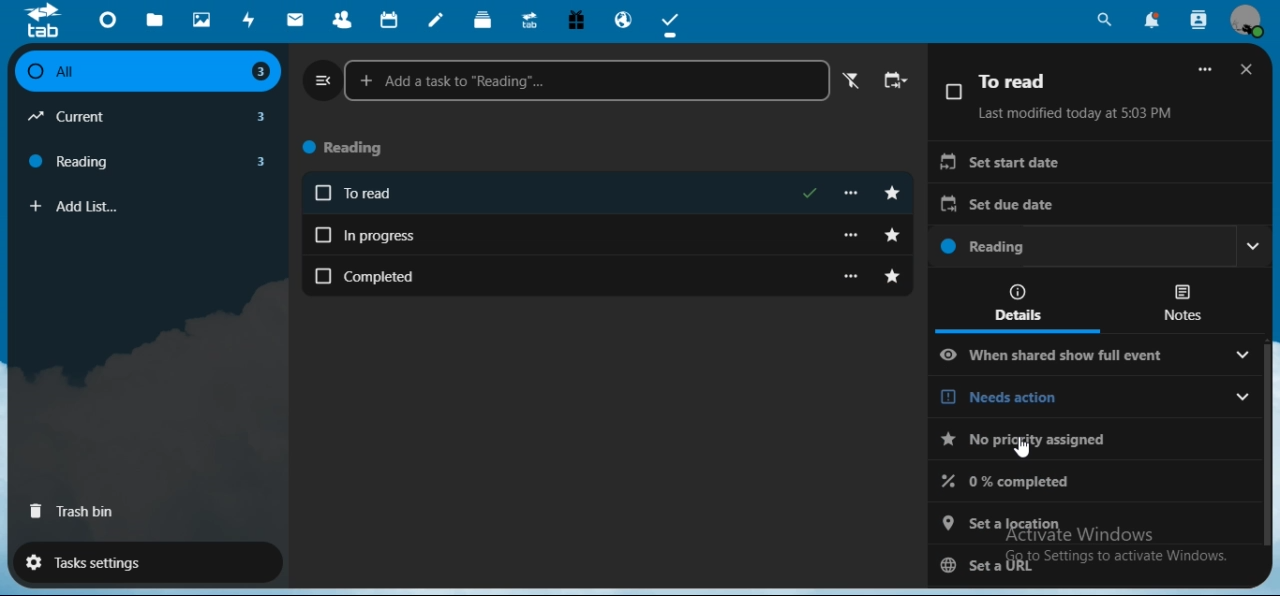  I want to click on reading, so click(353, 149).